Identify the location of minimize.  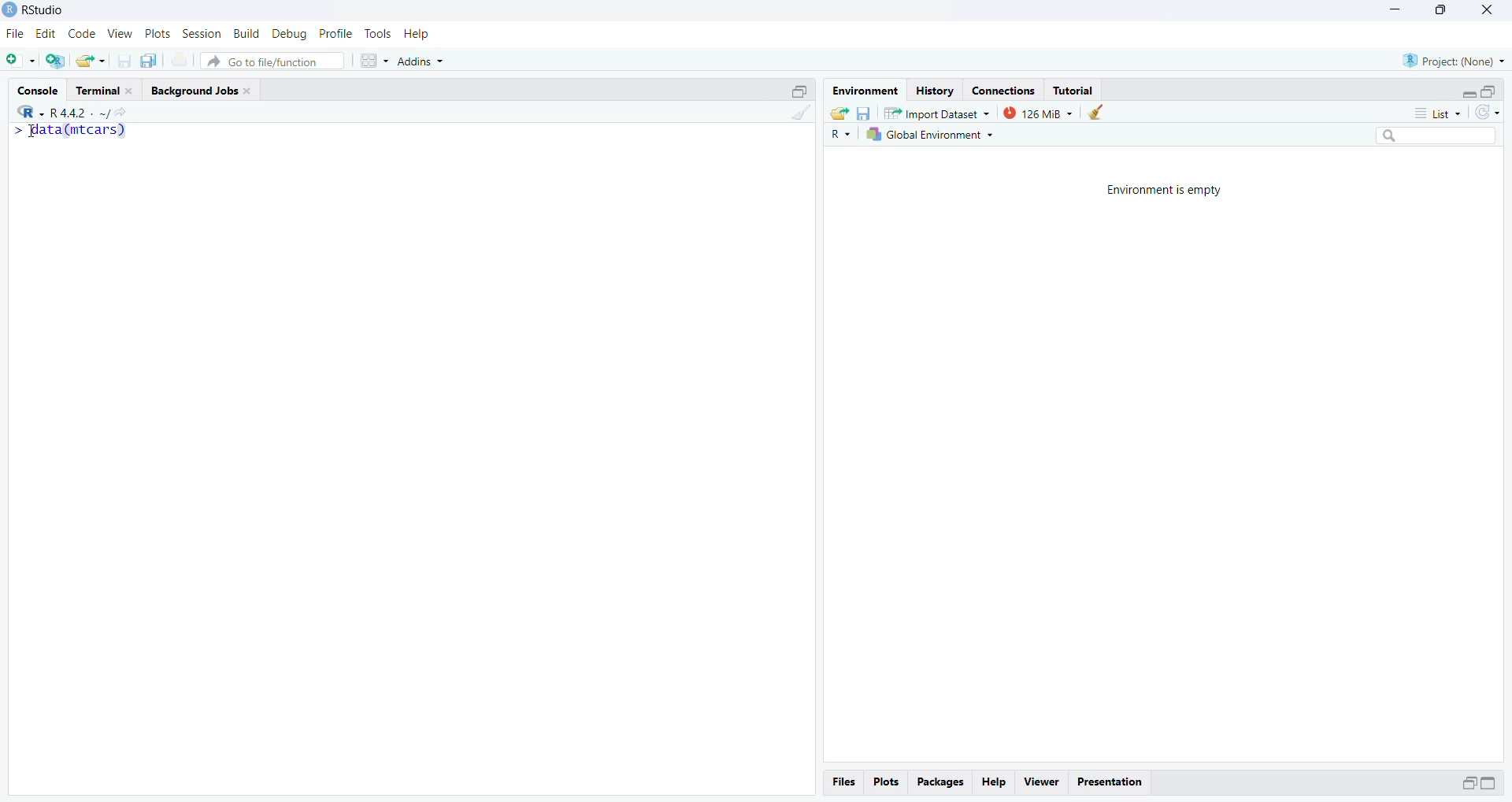
(1468, 785).